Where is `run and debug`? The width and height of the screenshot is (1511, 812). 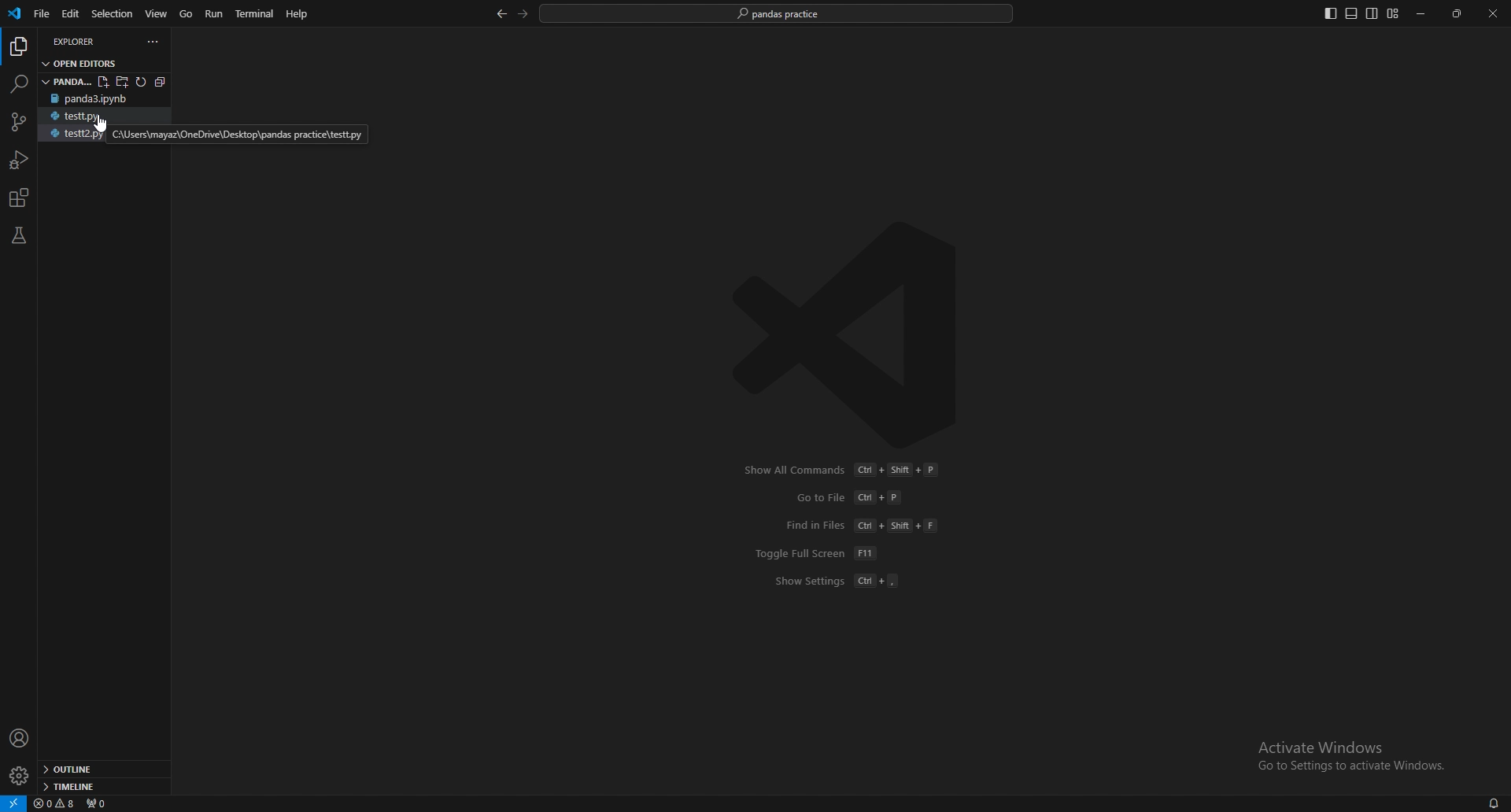 run and debug is located at coordinates (20, 160).